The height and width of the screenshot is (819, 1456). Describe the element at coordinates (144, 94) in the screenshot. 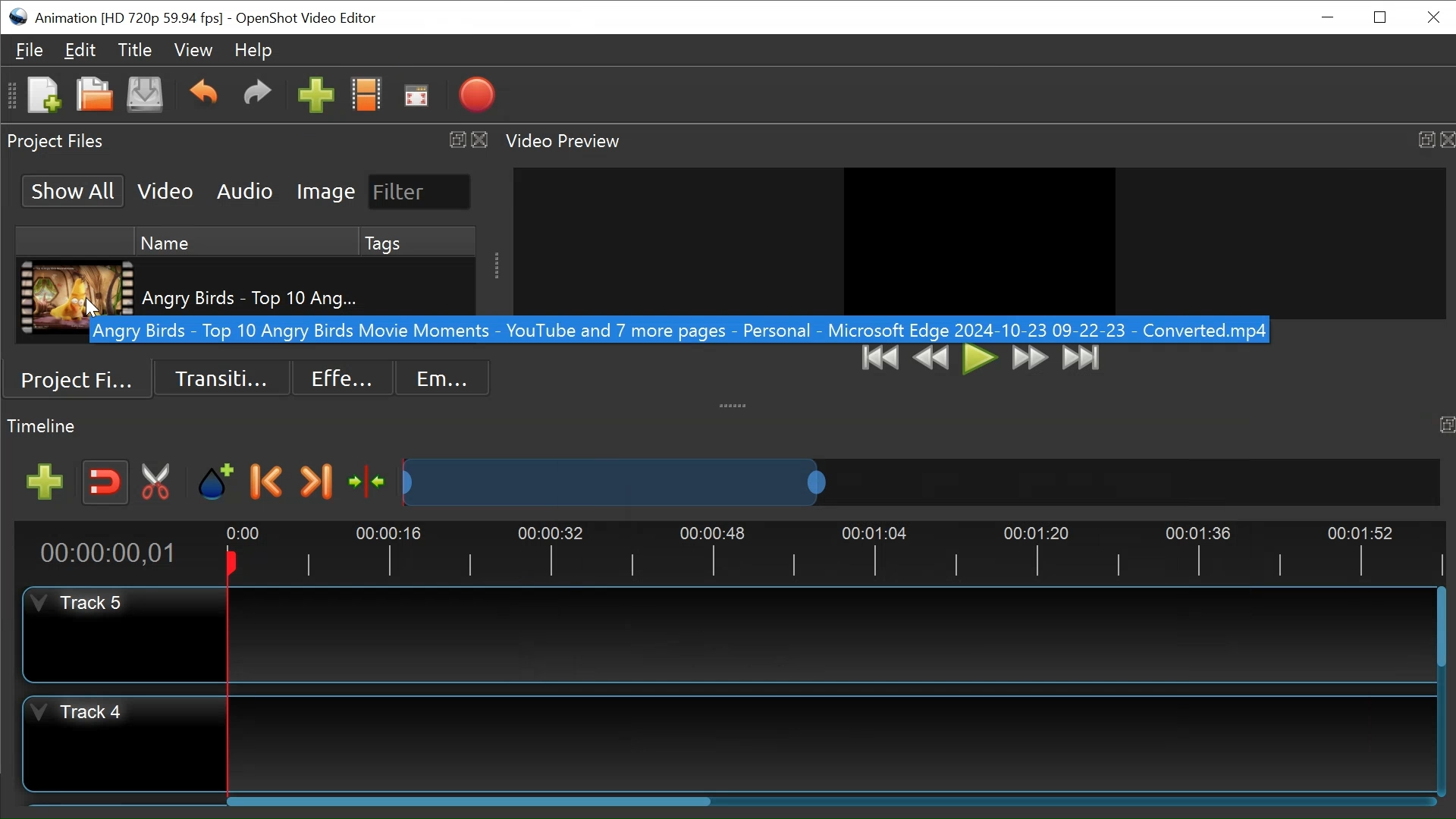

I see `Save Project` at that location.